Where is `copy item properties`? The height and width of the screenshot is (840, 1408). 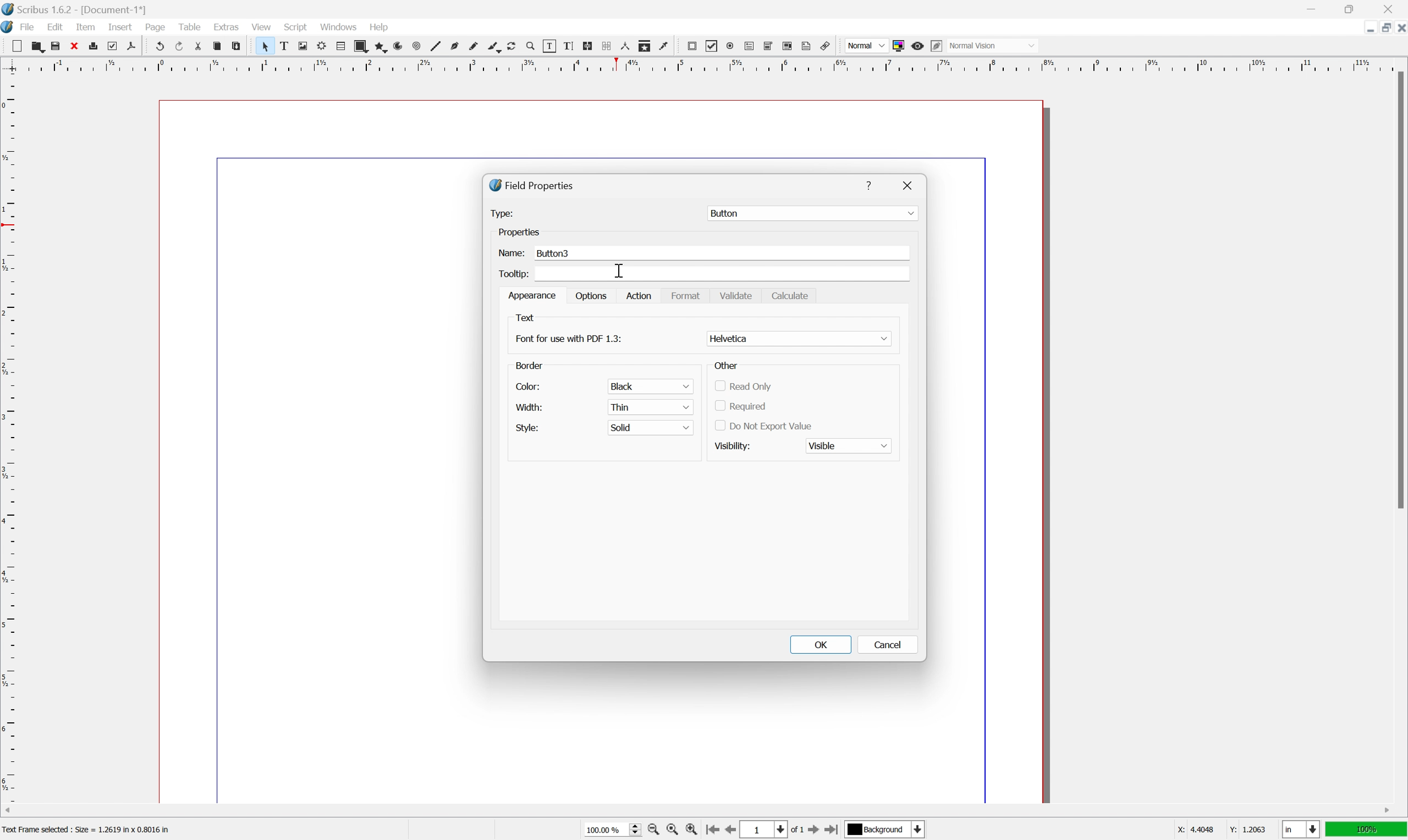
copy item properties is located at coordinates (645, 46).